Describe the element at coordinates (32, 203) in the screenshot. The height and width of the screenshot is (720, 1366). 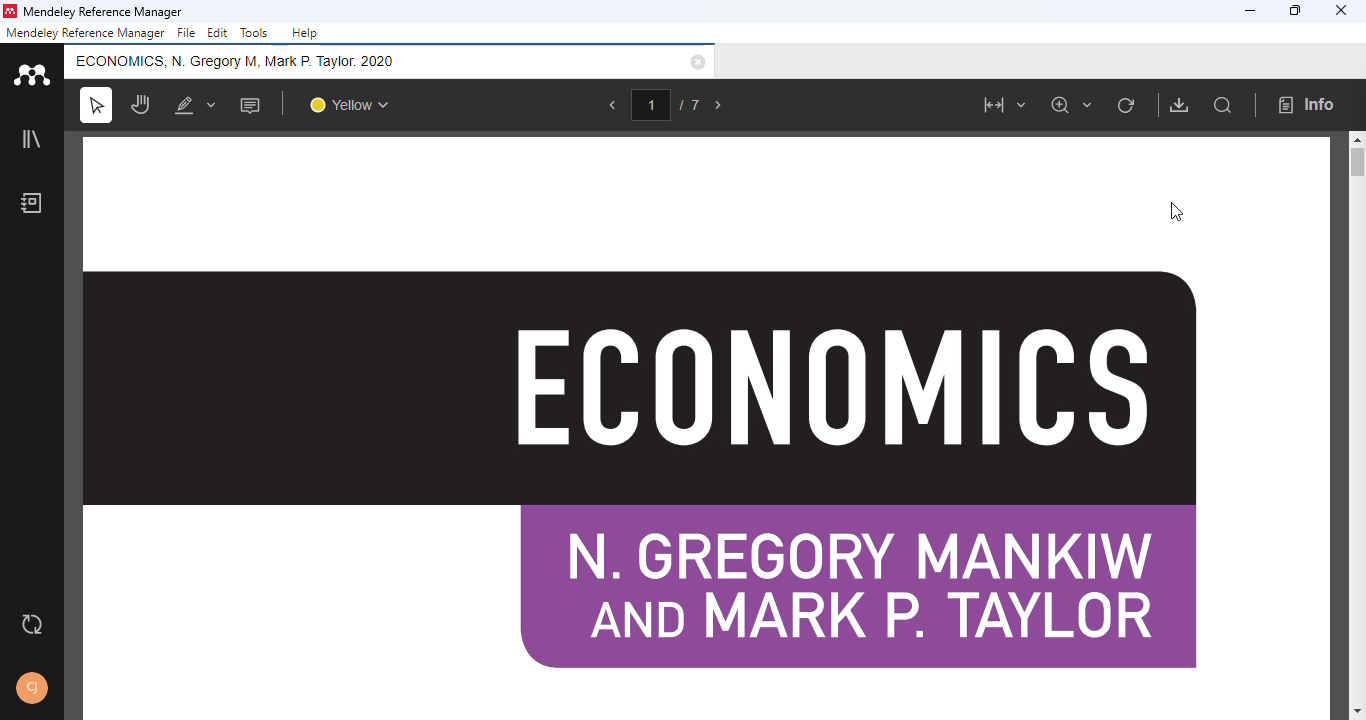
I see `notebook` at that location.